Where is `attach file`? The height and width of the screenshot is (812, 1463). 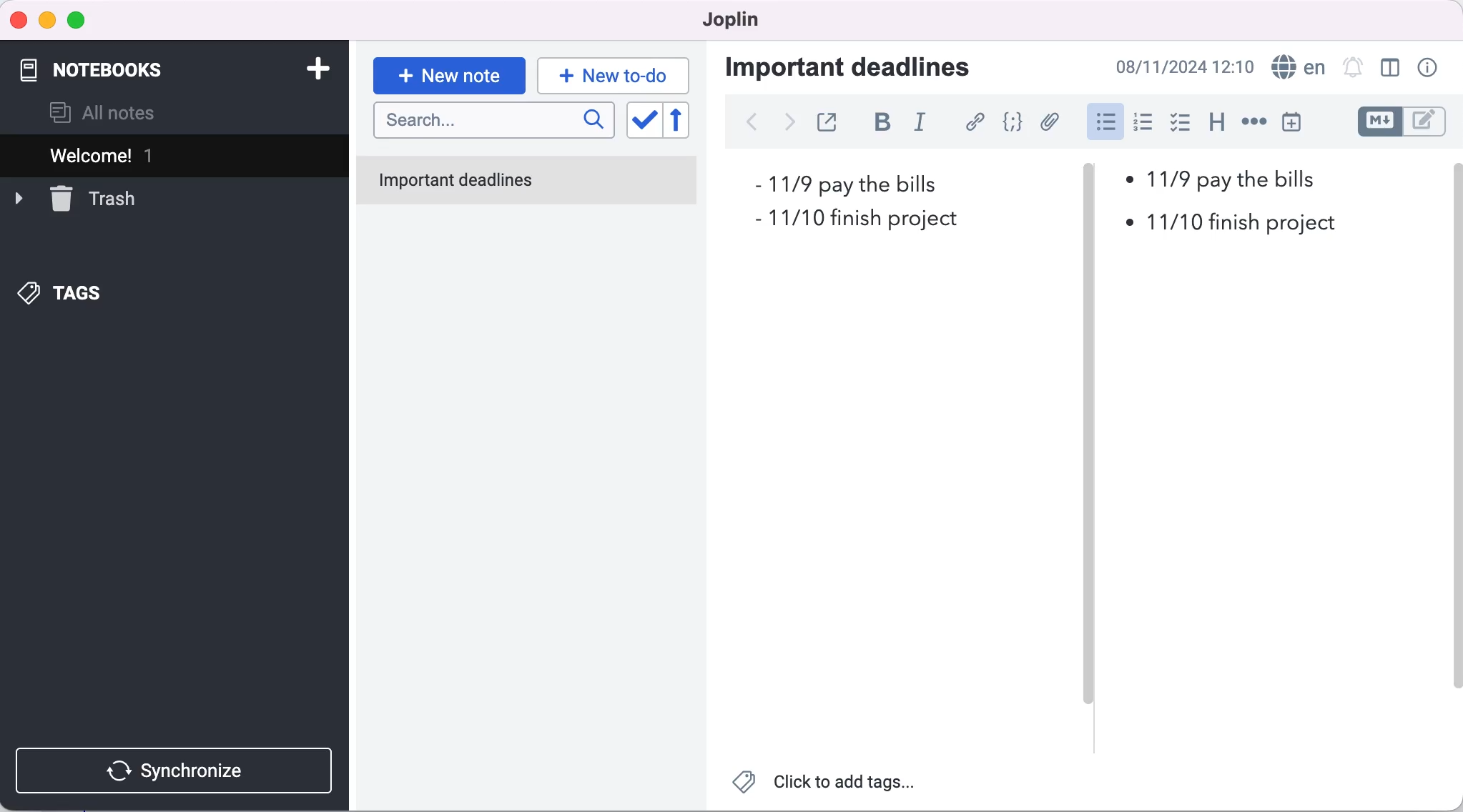
attach file is located at coordinates (1049, 122).